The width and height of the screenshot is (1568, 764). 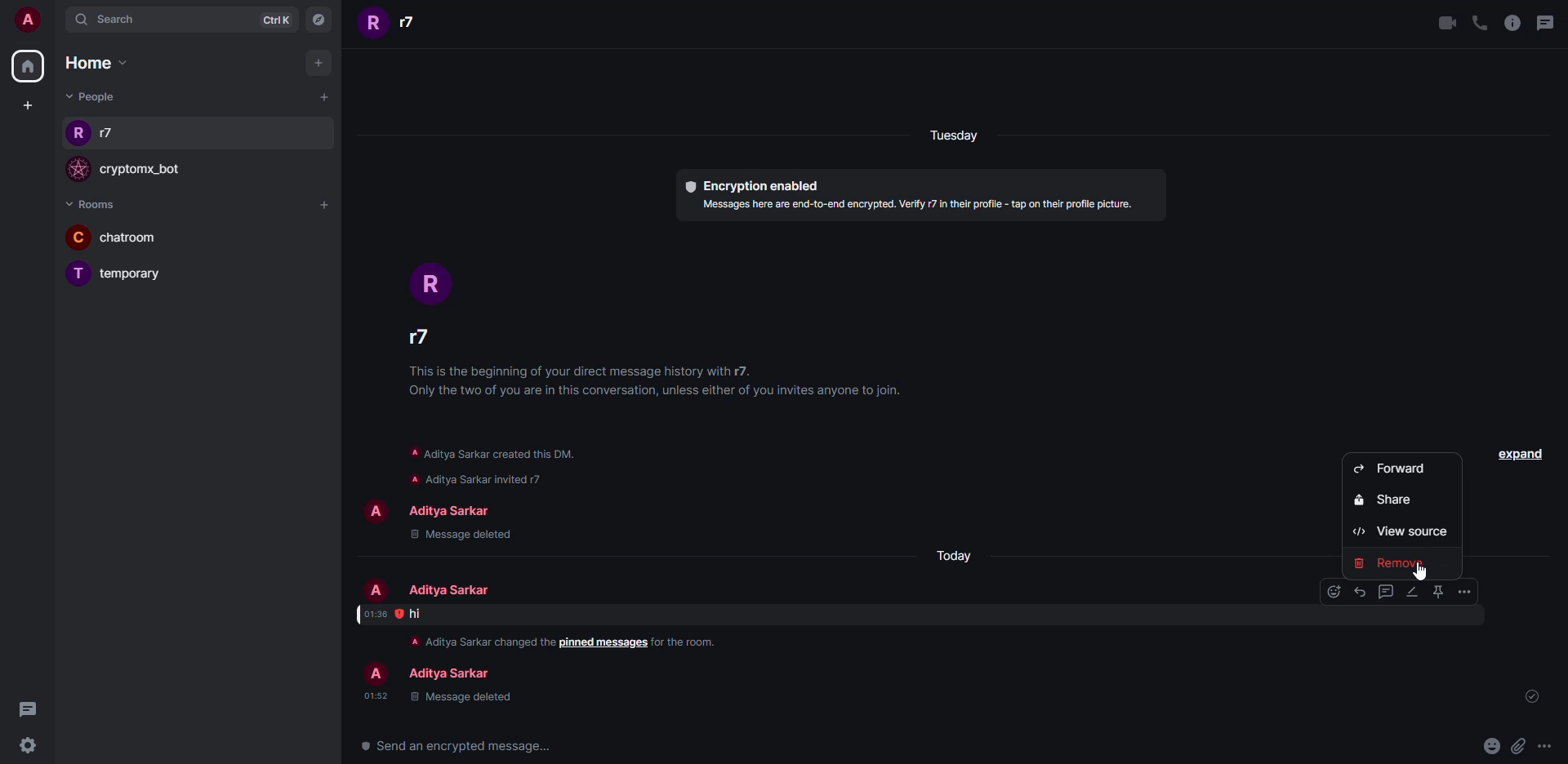 What do you see at coordinates (266, 19) in the screenshot?
I see `ctrlK` at bounding box center [266, 19].